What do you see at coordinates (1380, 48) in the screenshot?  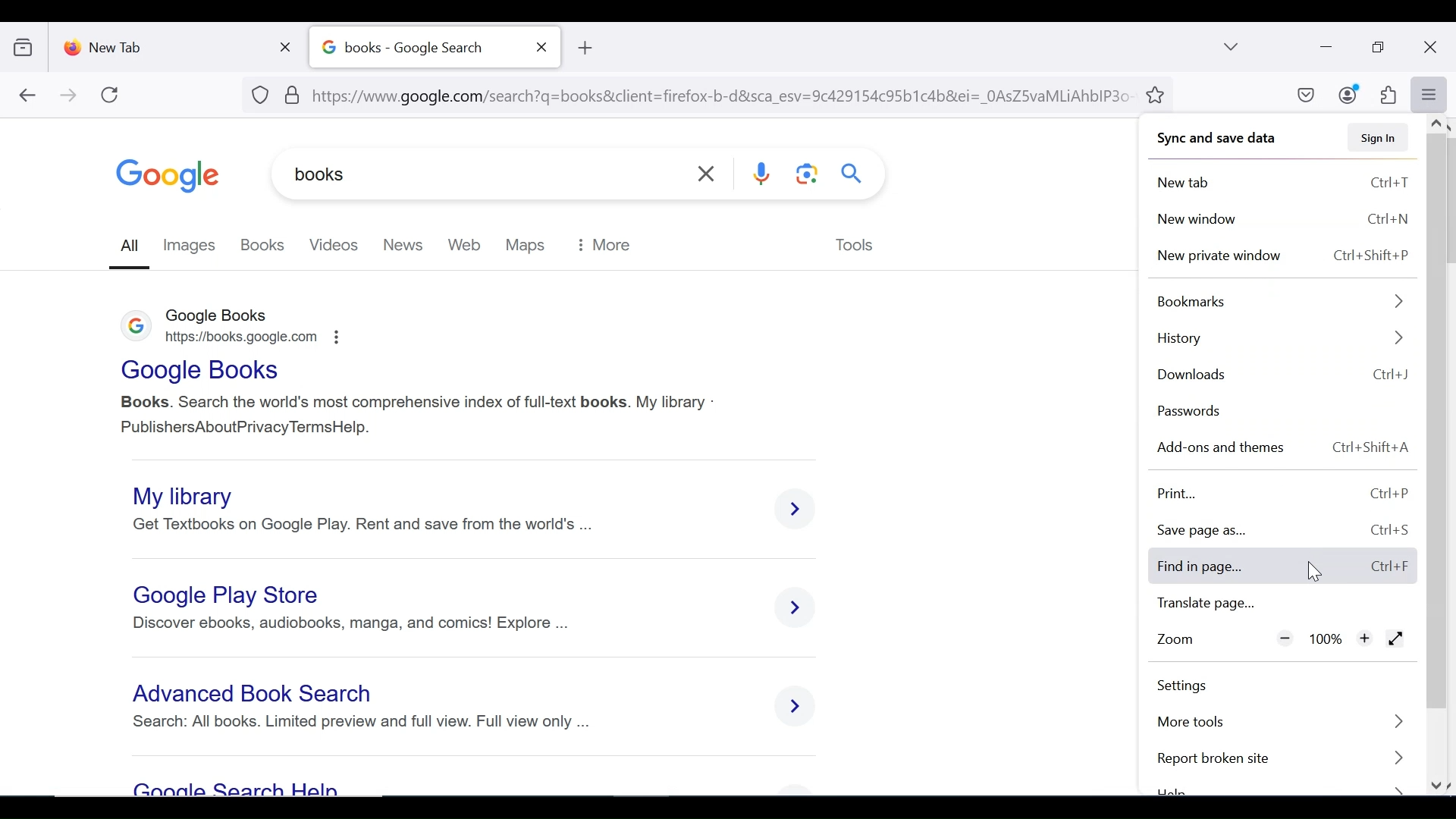 I see `restore` at bounding box center [1380, 48].